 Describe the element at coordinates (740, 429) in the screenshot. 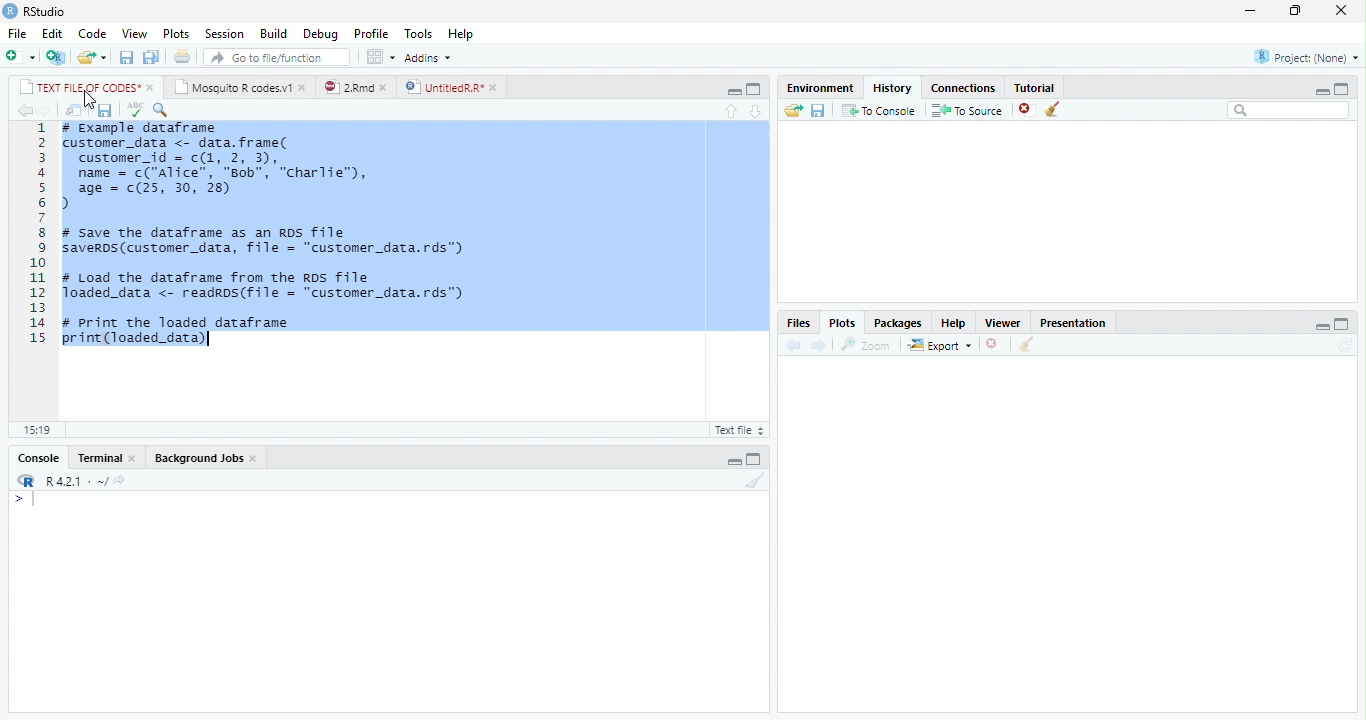

I see `R Script` at that location.